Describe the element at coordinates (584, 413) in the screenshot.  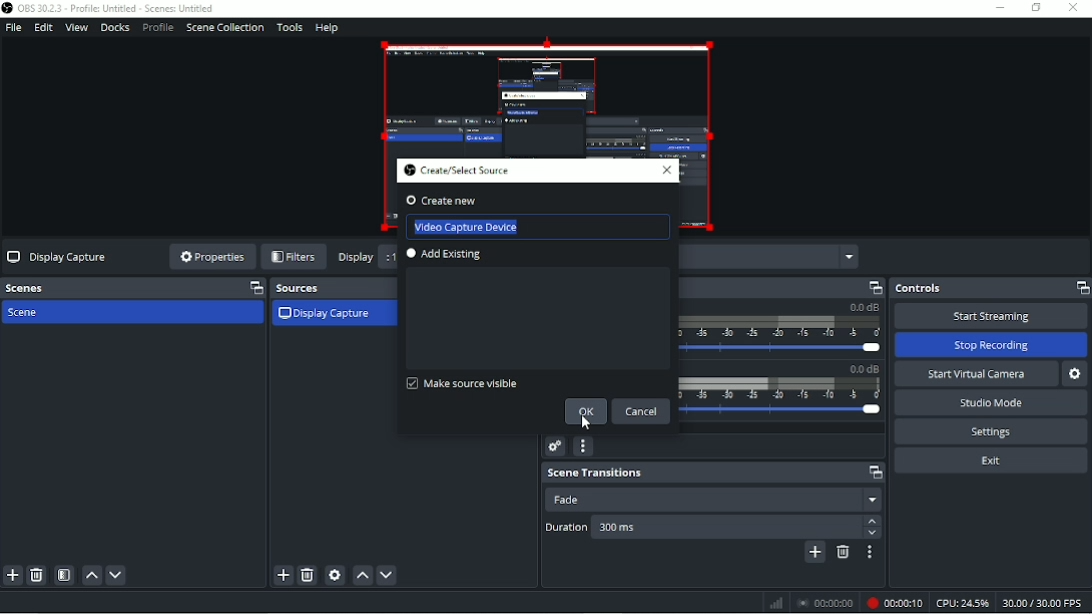
I see `OK` at that location.